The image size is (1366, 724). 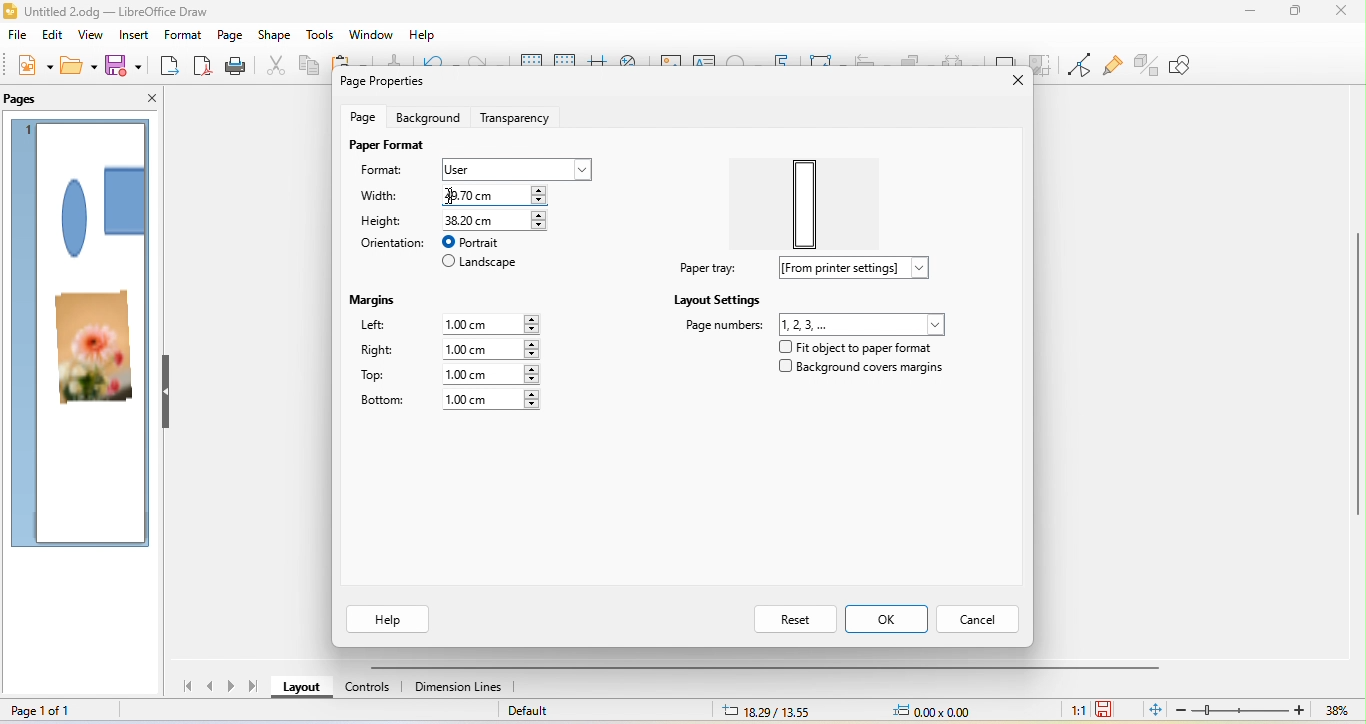 What do you see at coordinates (528, 63) in the screenshot?
I see `display grid` at bounding box center [528, 63].